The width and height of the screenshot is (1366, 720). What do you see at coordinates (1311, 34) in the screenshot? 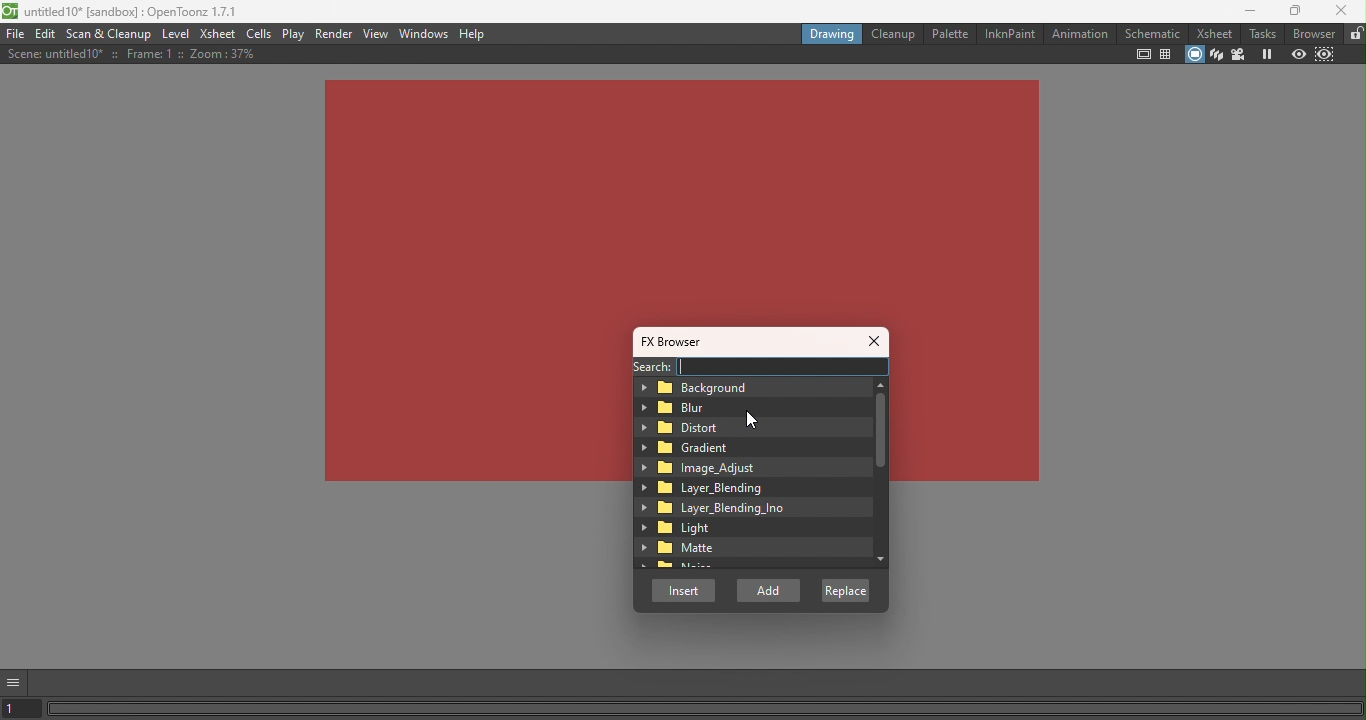
I see `Browser` at bounding box center [1311, 34].